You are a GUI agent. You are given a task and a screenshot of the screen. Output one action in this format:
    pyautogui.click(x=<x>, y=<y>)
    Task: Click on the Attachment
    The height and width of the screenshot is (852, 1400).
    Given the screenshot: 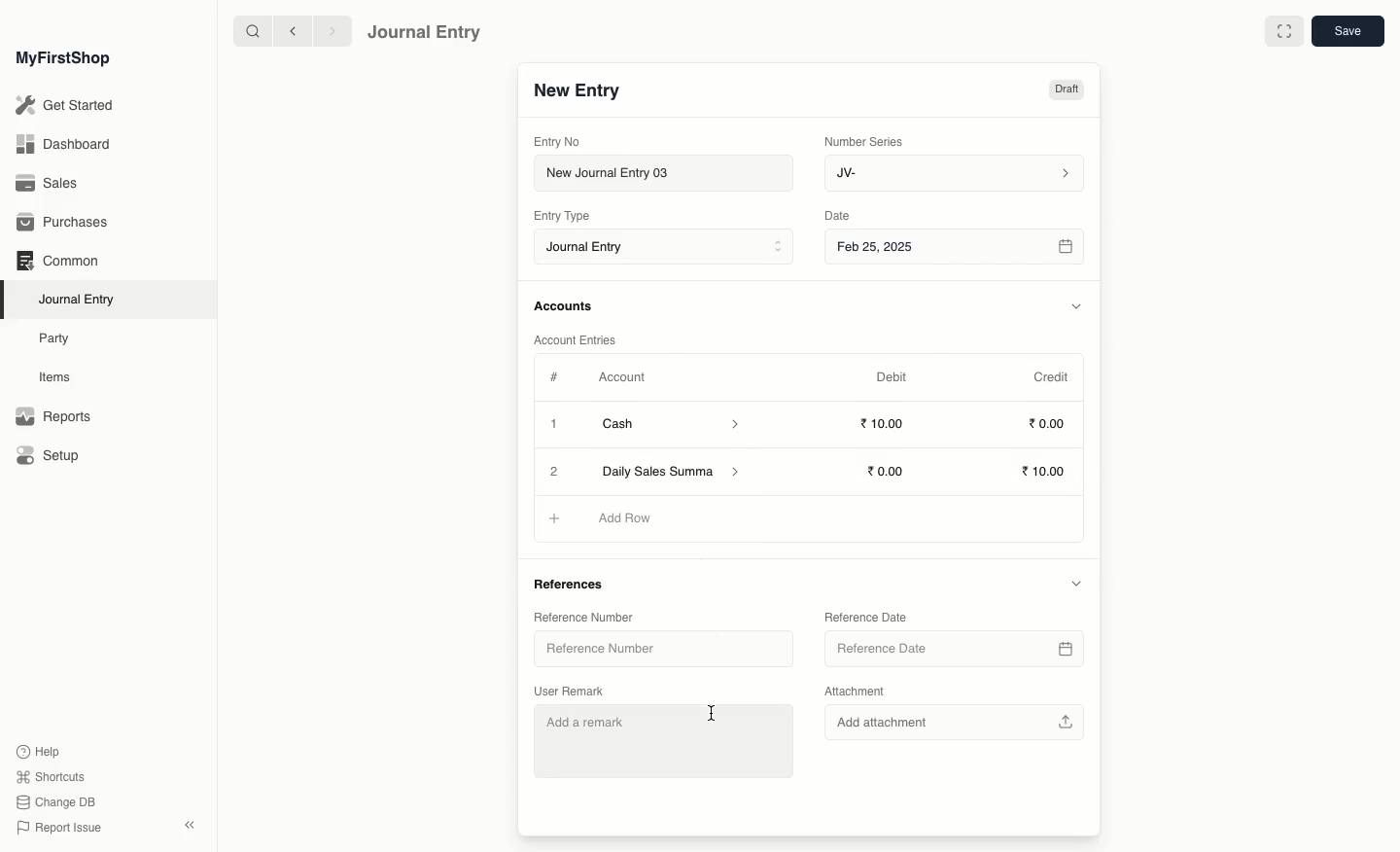 What is the action you would take?
    pyautogui.click(x=856, y=692)
    